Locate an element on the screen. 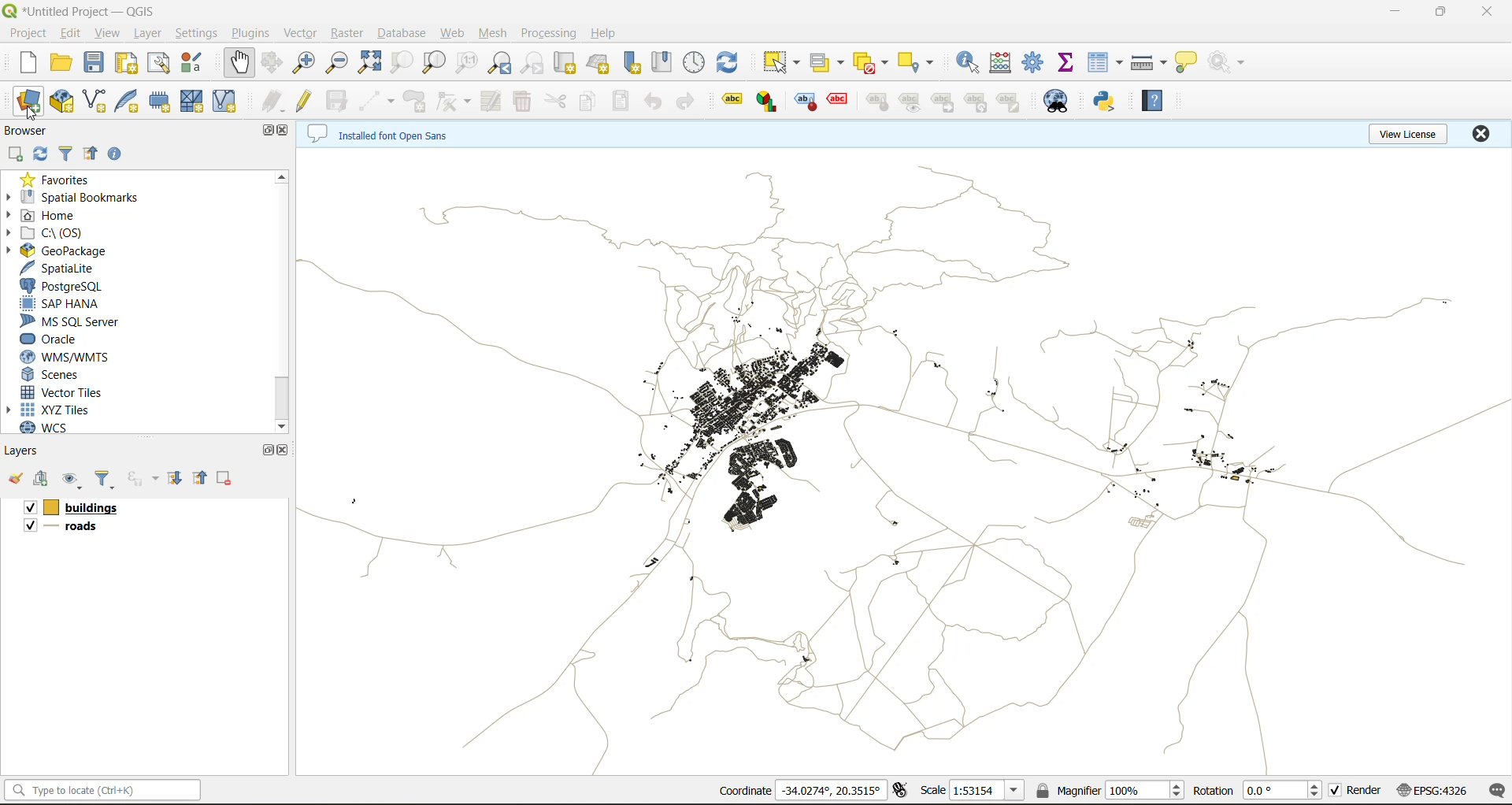 The width and height of the screenshot is (1512, 805). zoom next is located at coordinates (535, 63).